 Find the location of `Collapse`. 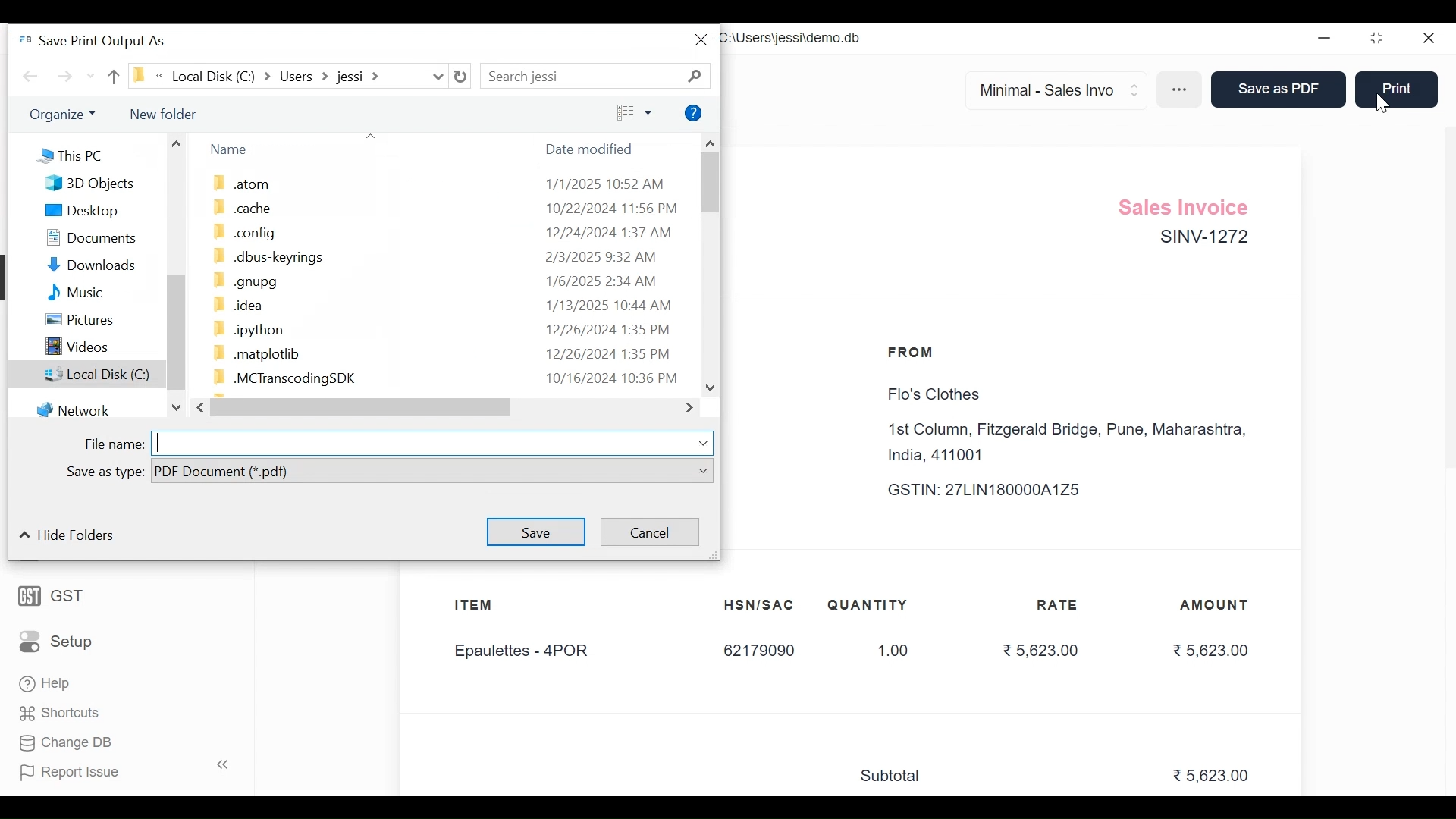

Collapse is located at coordinates (24, 536).